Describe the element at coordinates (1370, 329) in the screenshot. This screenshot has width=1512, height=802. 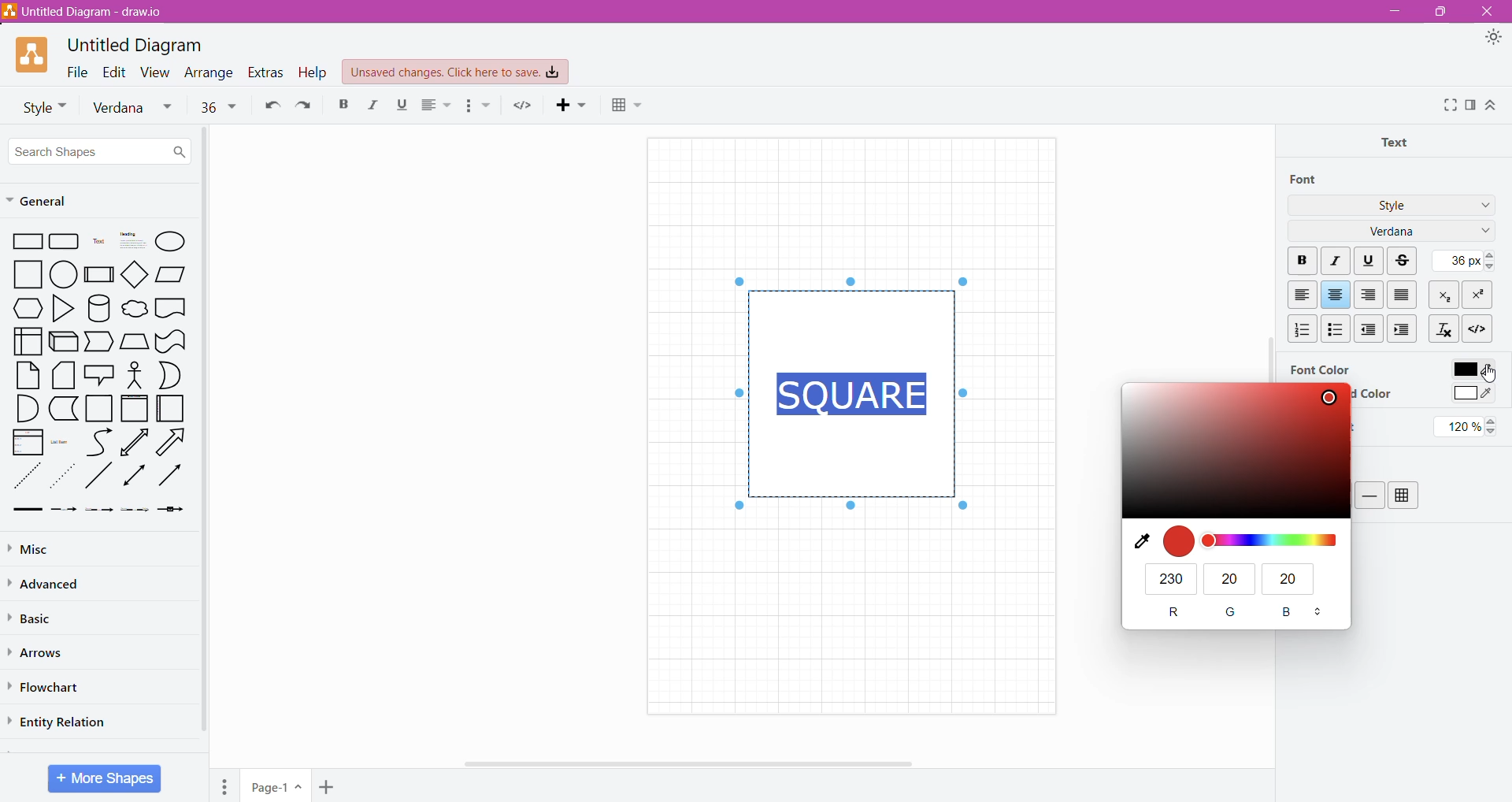
I see `Decrease Indent` at that location.